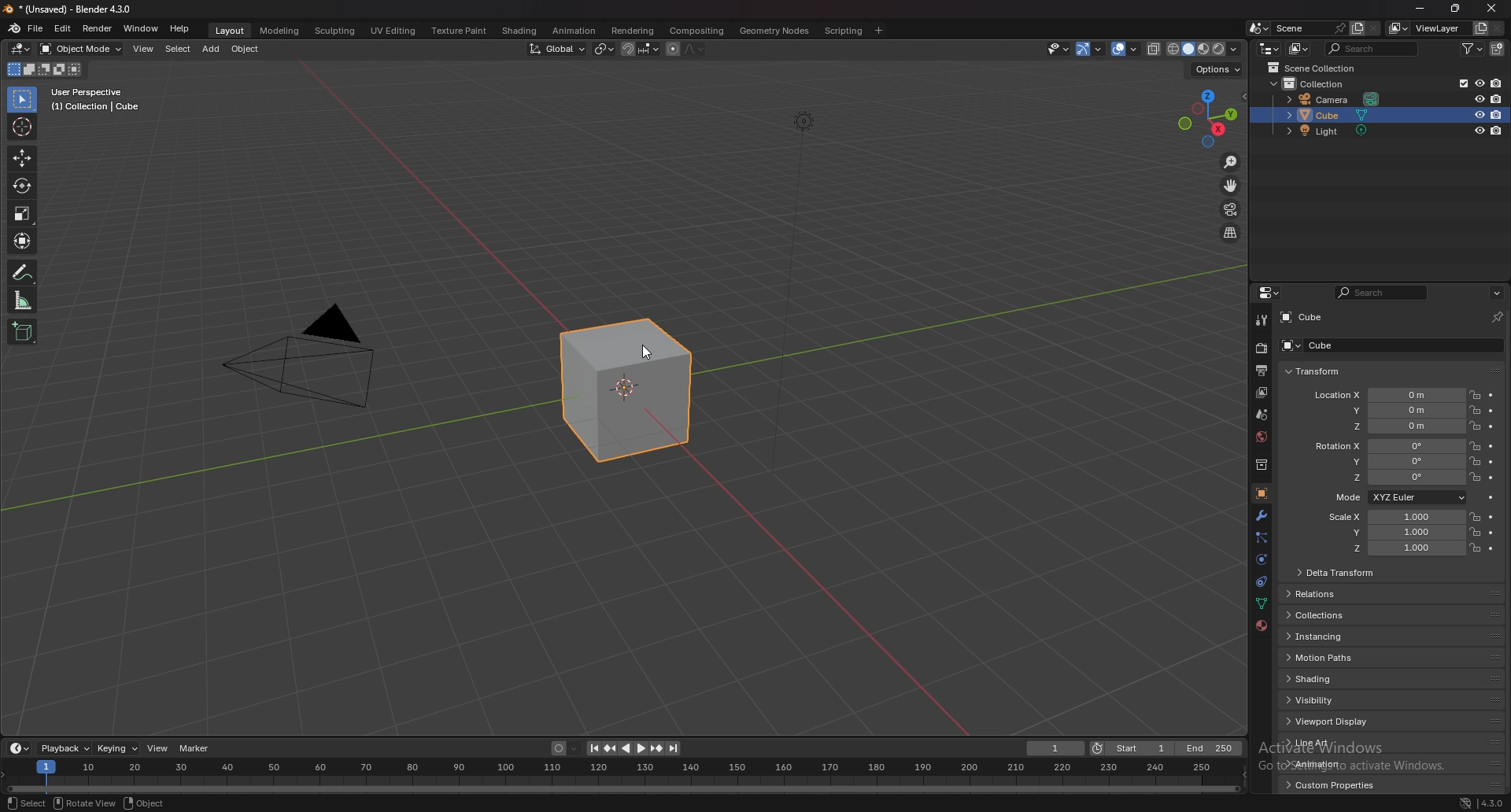  What do you see at coordinates (1388, 446) in the screenshot?
I see `rotation x` at bounding box center [1388, 446].